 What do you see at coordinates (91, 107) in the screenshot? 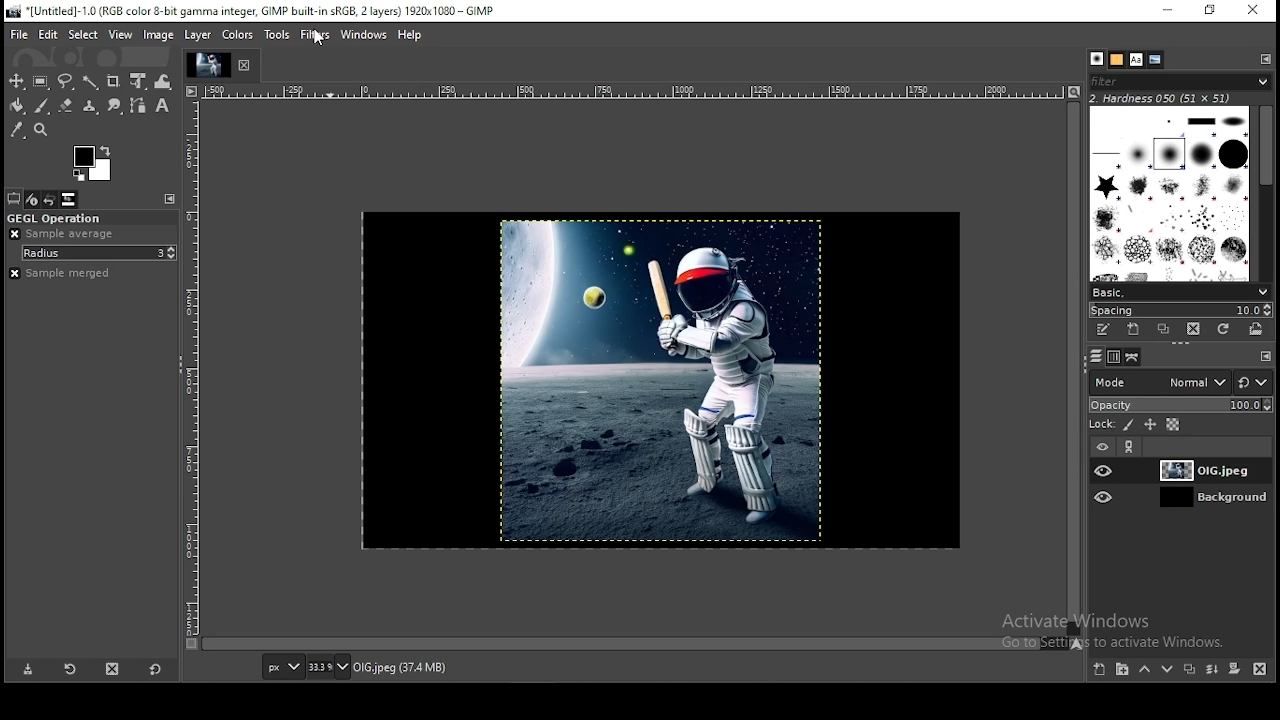
I see `clone tool` at bounding box center [91, 107].